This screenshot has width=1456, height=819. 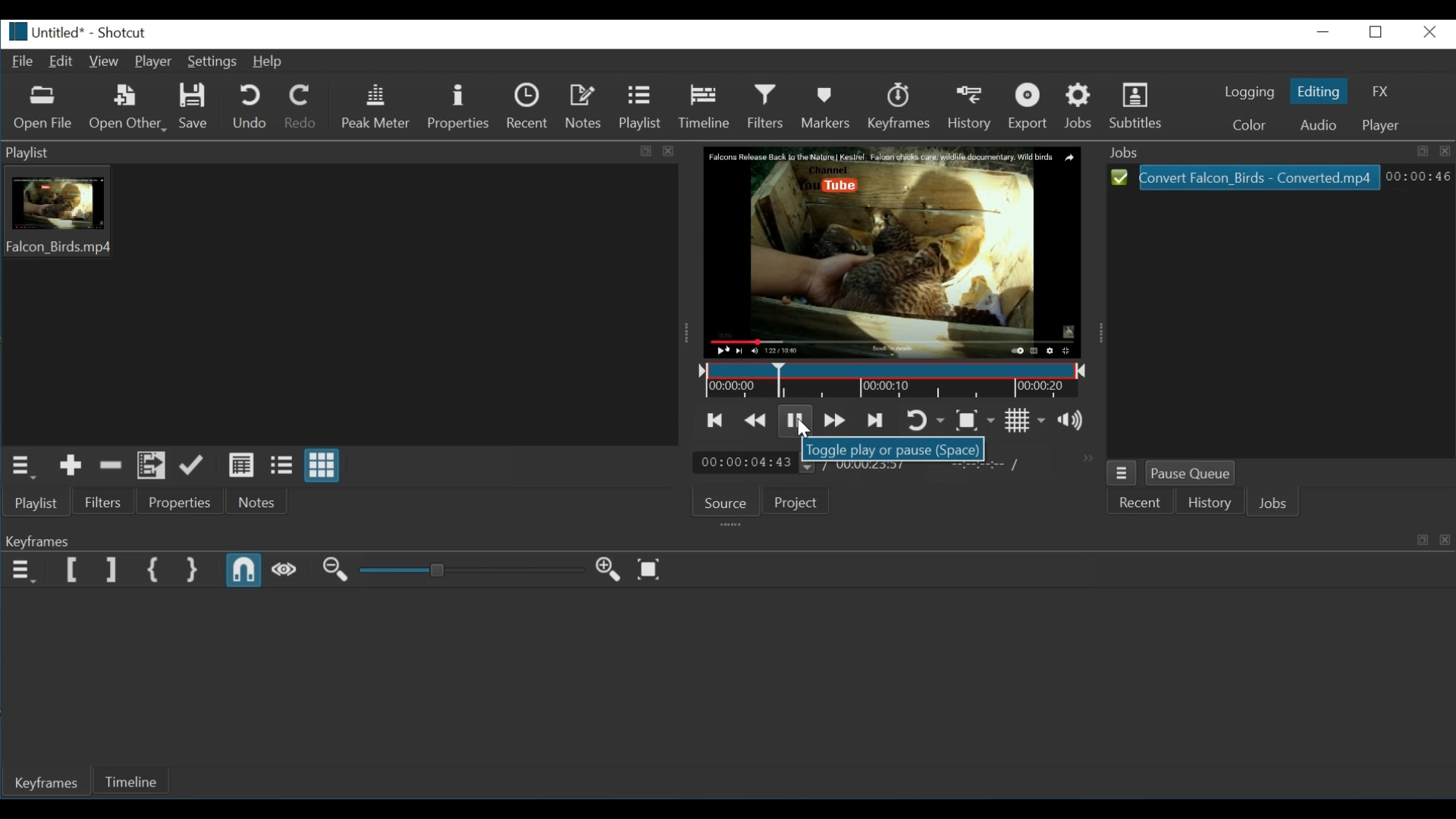 What do you see at coordinates (727, 503) in the screenshot?
I see `Source` at bounding box center [727, 503].